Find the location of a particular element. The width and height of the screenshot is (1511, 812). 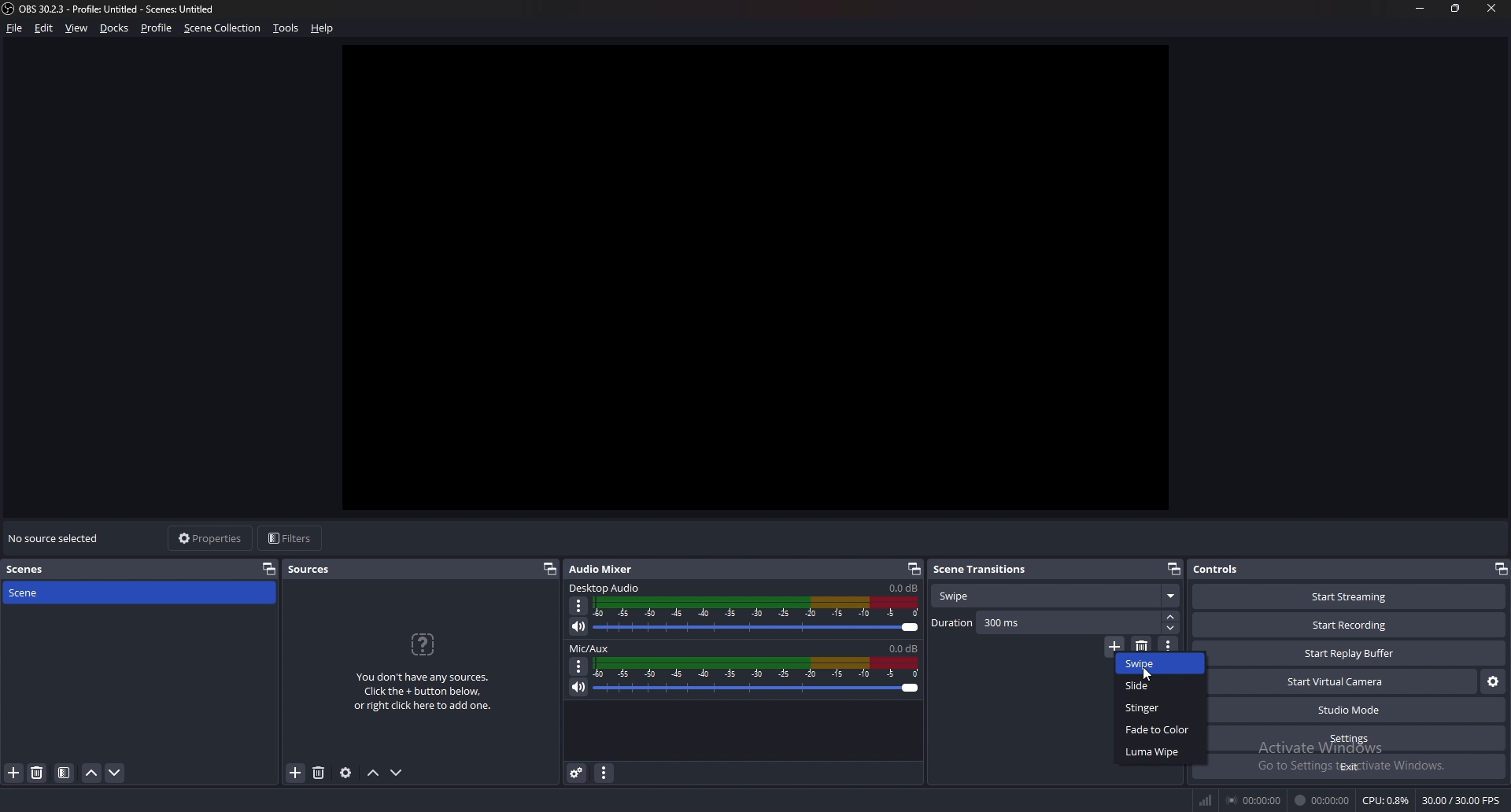

slide is located at coordinates (1161, 685).